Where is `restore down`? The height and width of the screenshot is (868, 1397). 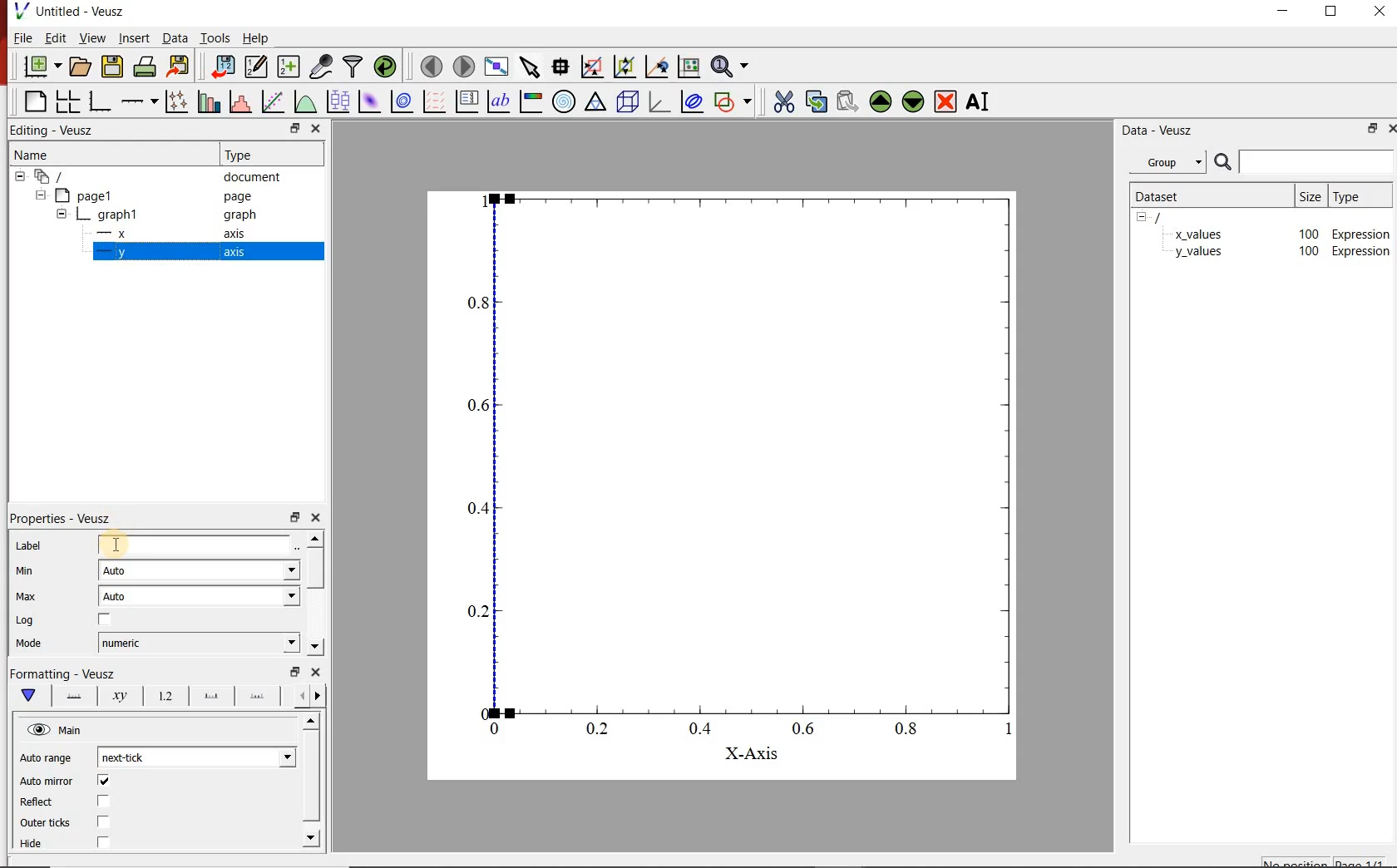 restore down is located at coordinates (294, 127).